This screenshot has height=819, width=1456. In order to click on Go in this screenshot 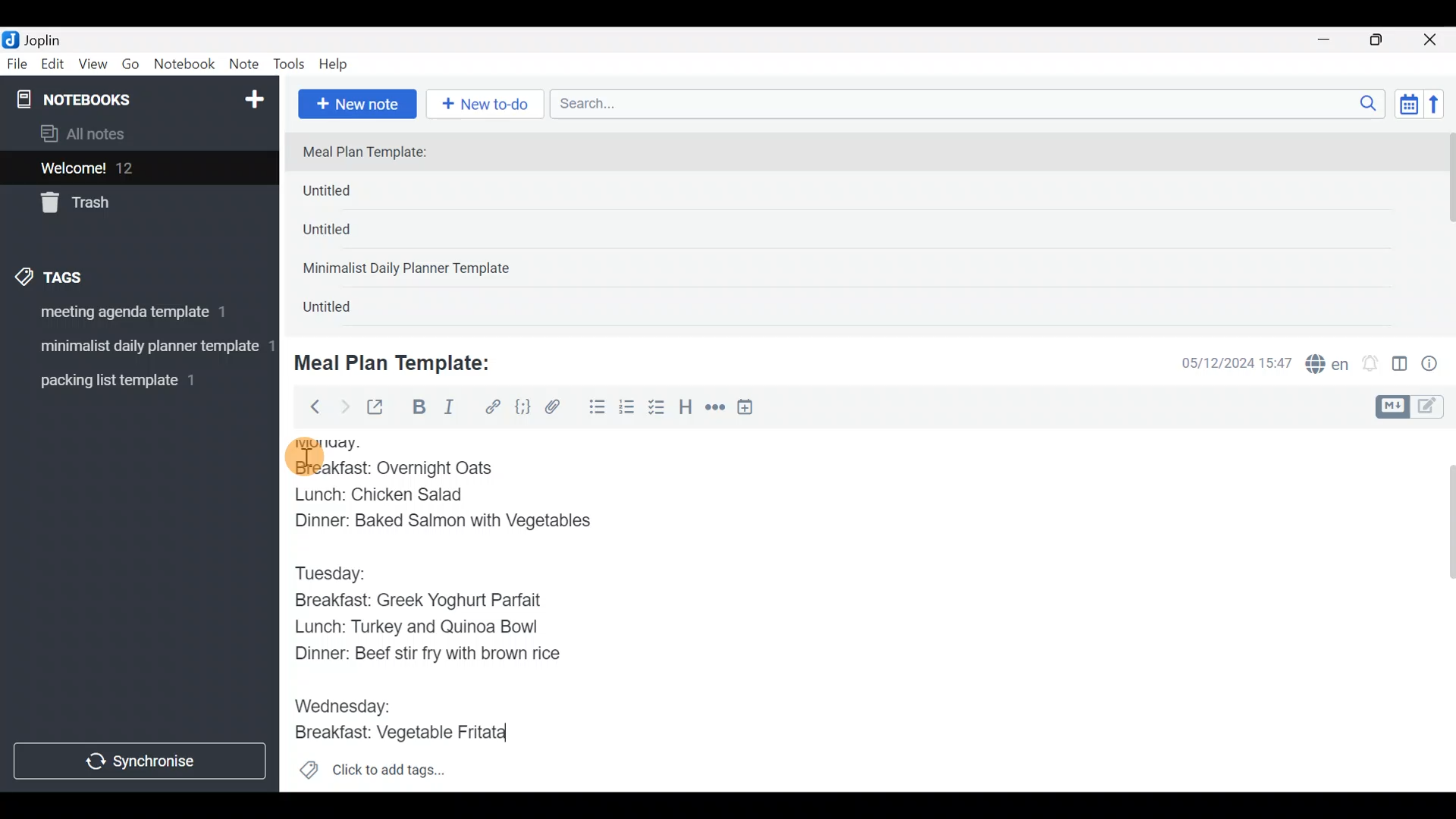, I will do `click(130, 67)`.